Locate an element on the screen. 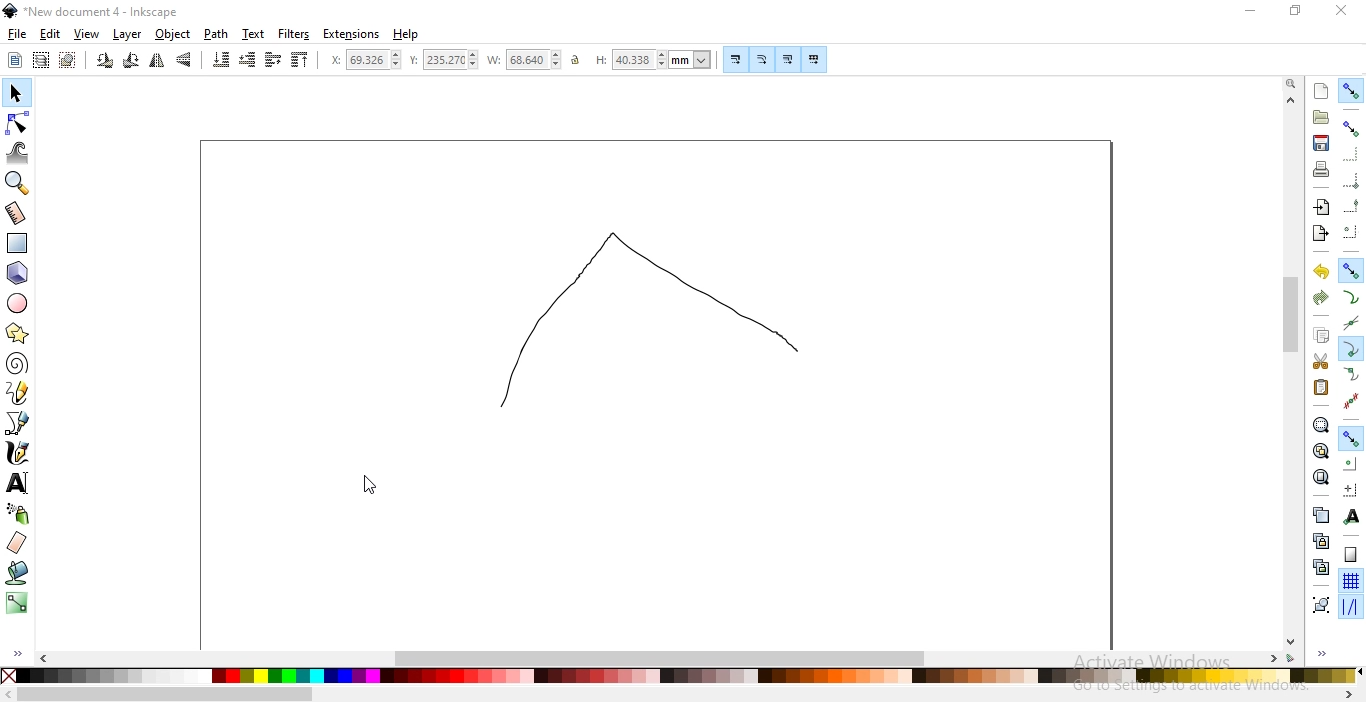 The height and width of the screenshot is (702, 1366). scrollbar is located at coordinates (663, 656).